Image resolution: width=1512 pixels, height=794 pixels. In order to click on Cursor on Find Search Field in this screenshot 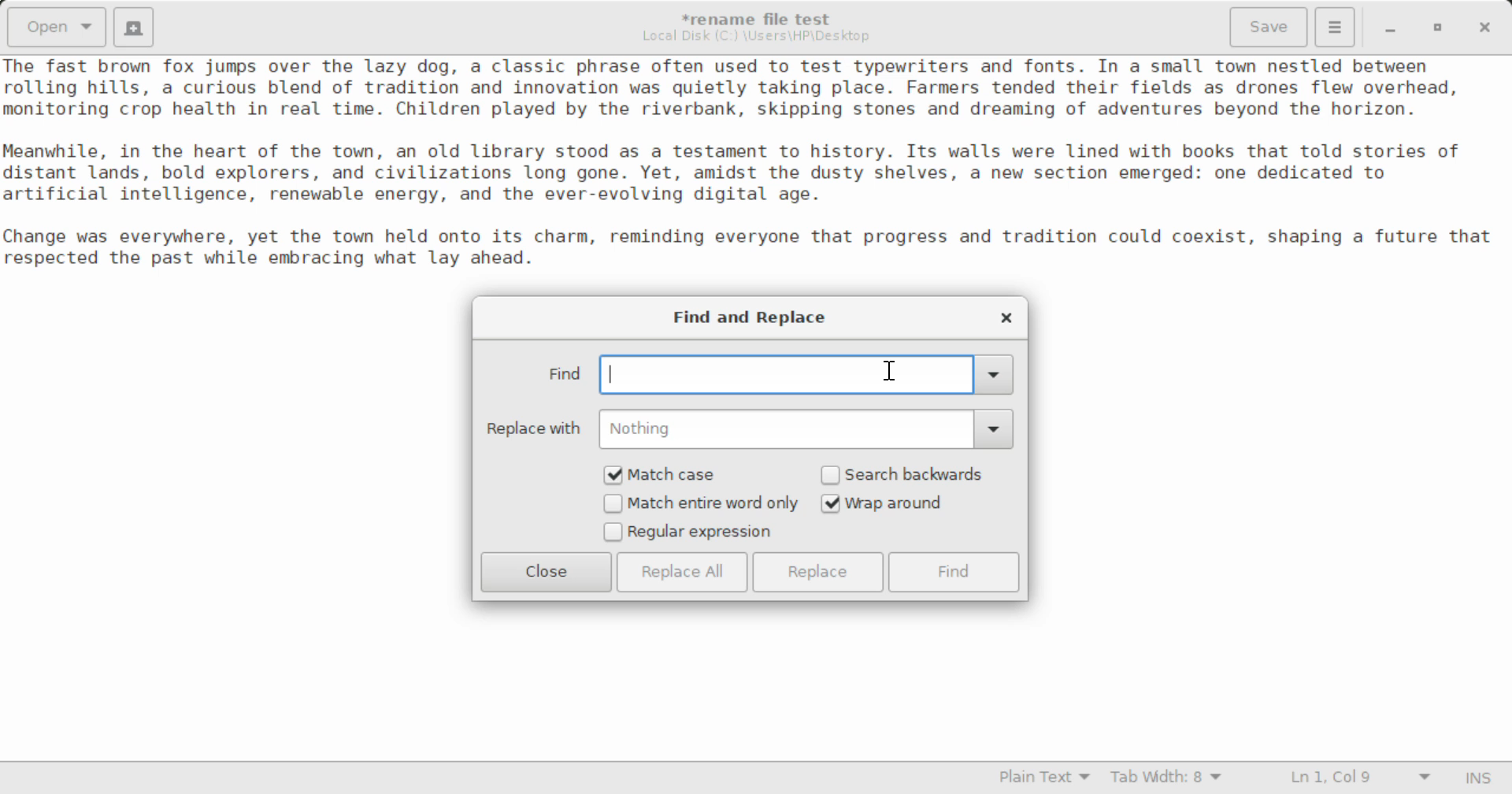, I will do `click(892, 373)`.